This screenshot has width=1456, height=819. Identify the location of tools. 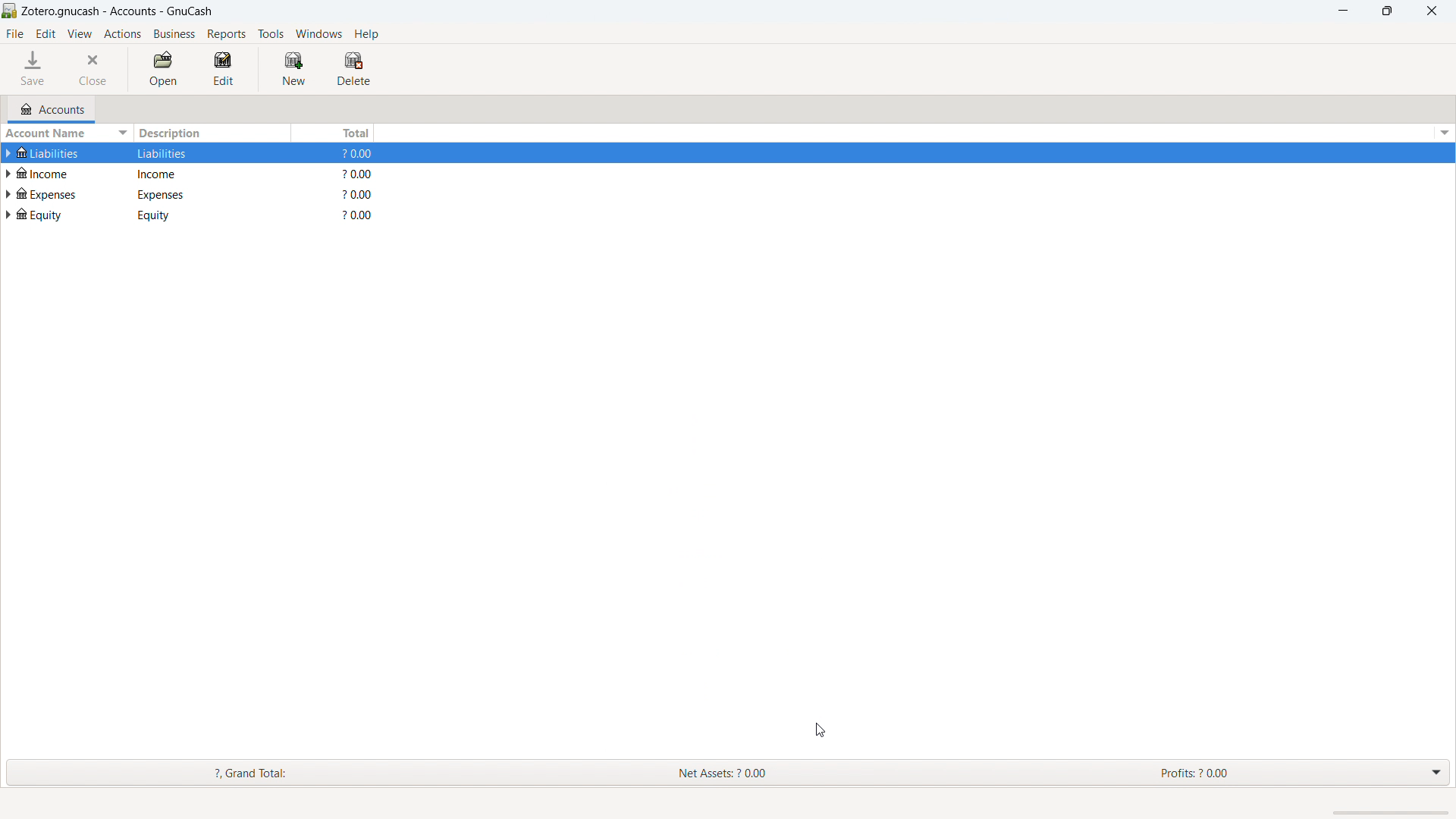
(271, 34).